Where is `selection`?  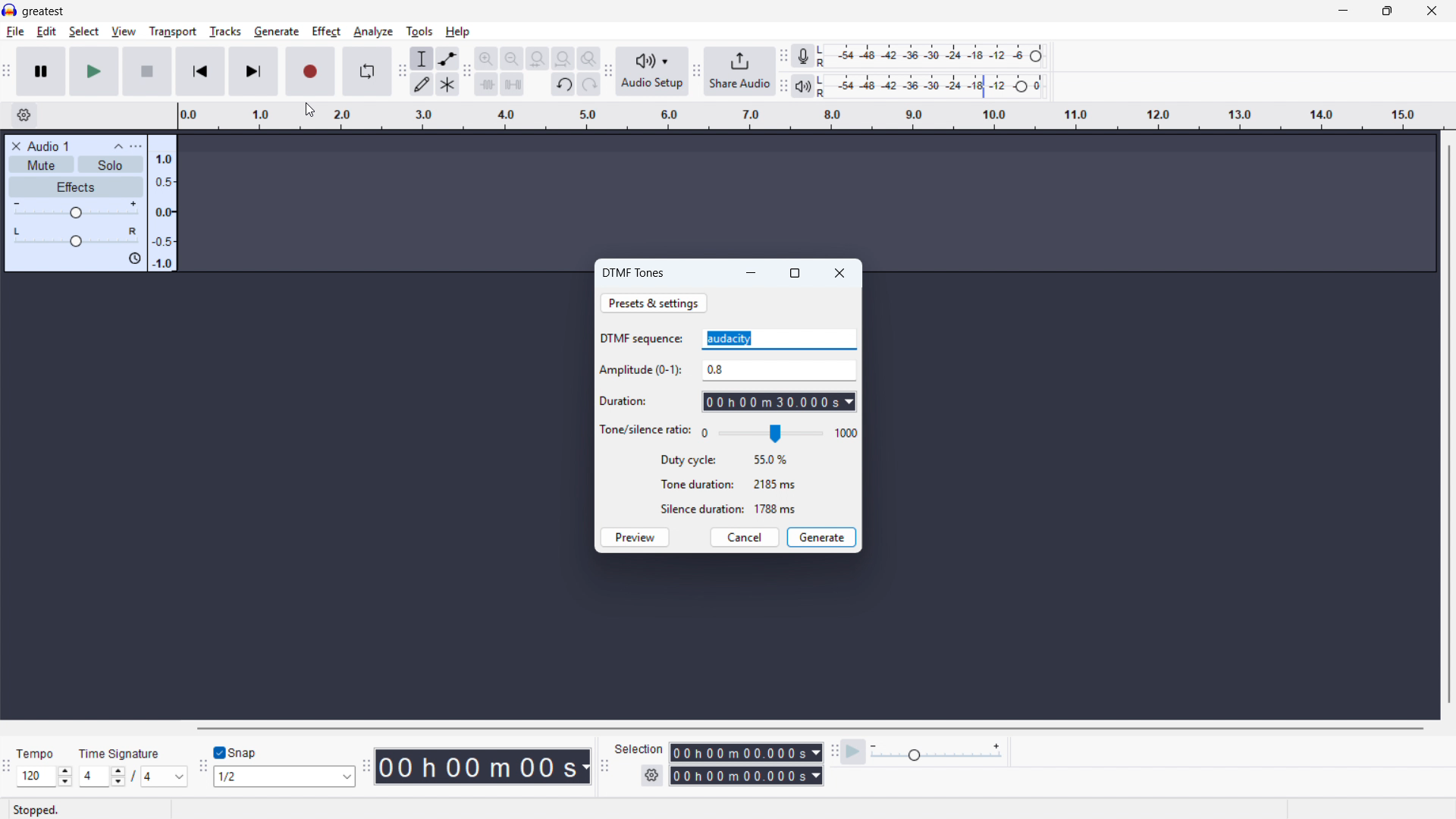 selection is located at coordinates (640, 749).